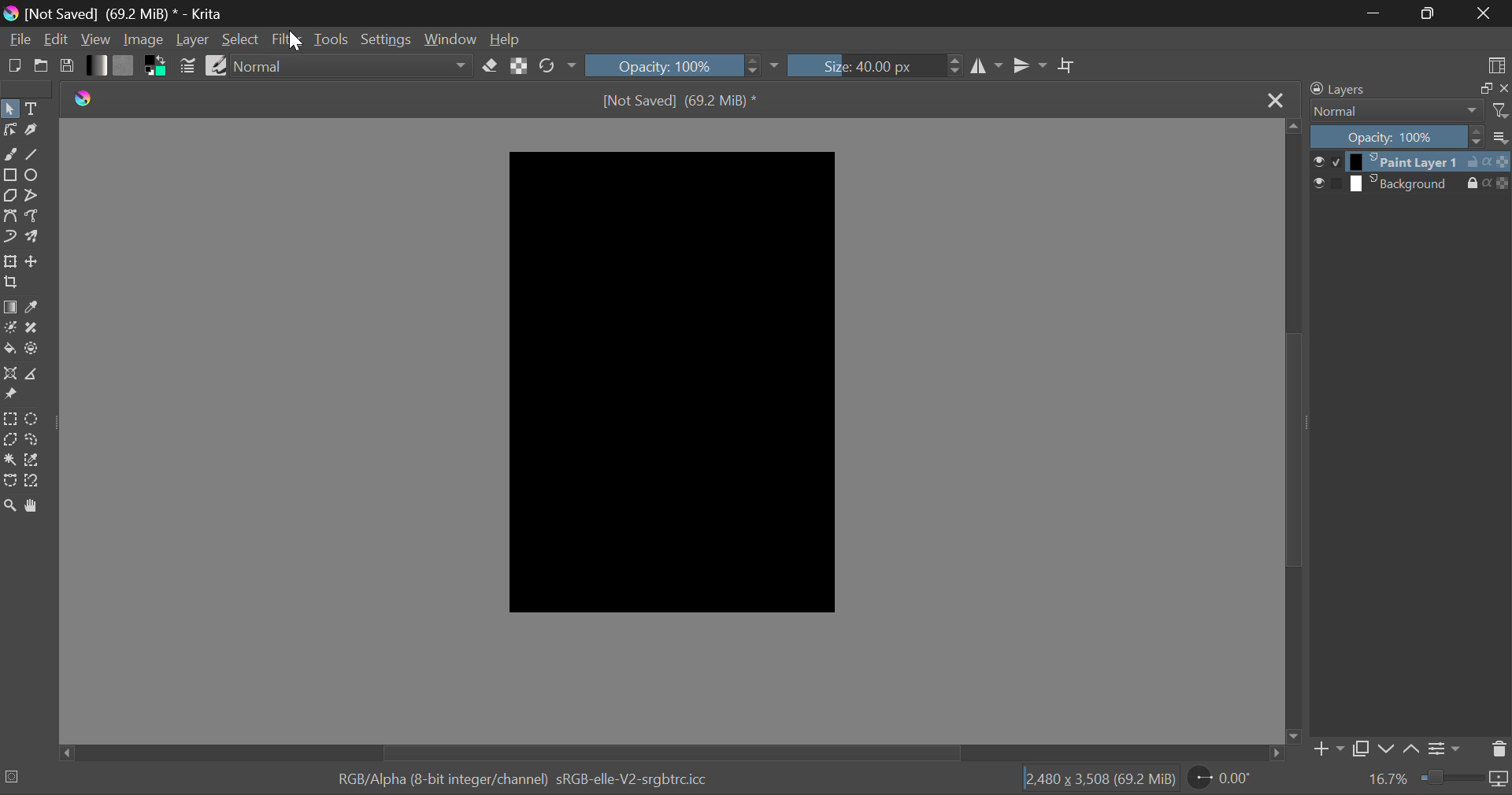 This screenshot has width=1512, height=795. I want to click on Image, so click(143, 41).